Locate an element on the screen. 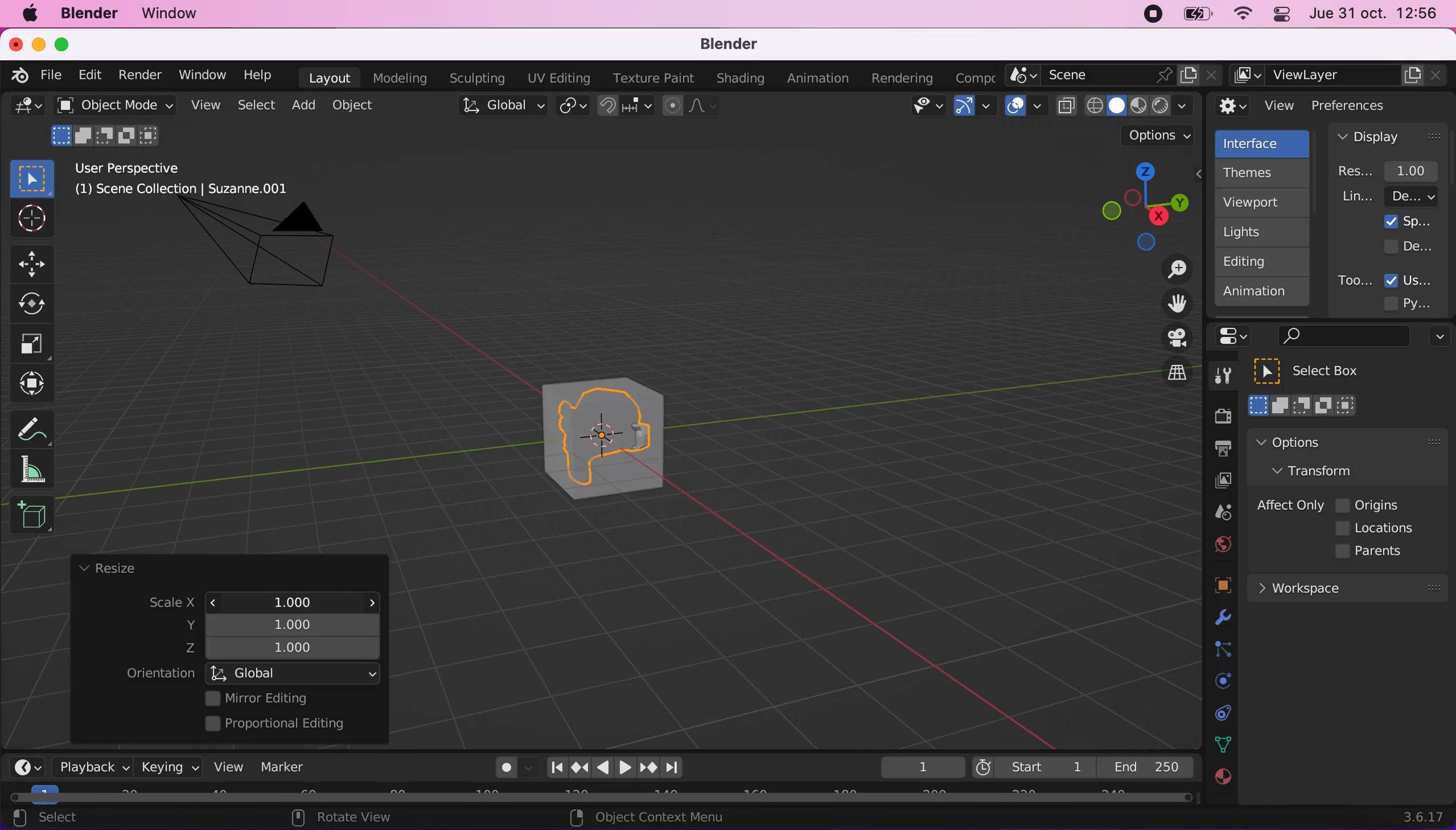  jump to keyframe is located at coordinates (649, 770).